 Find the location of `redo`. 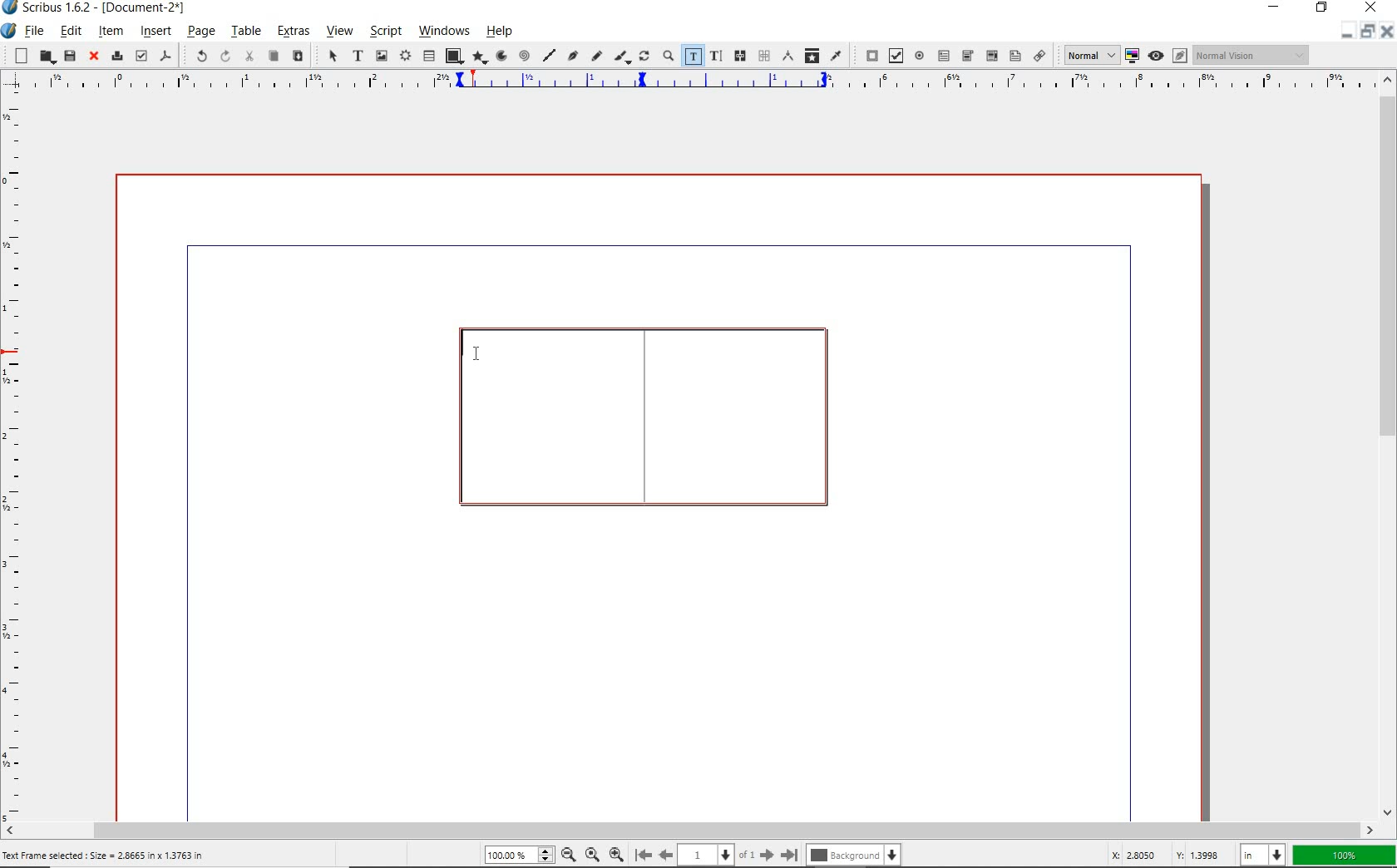

redo is located at coordinates (224, 56).